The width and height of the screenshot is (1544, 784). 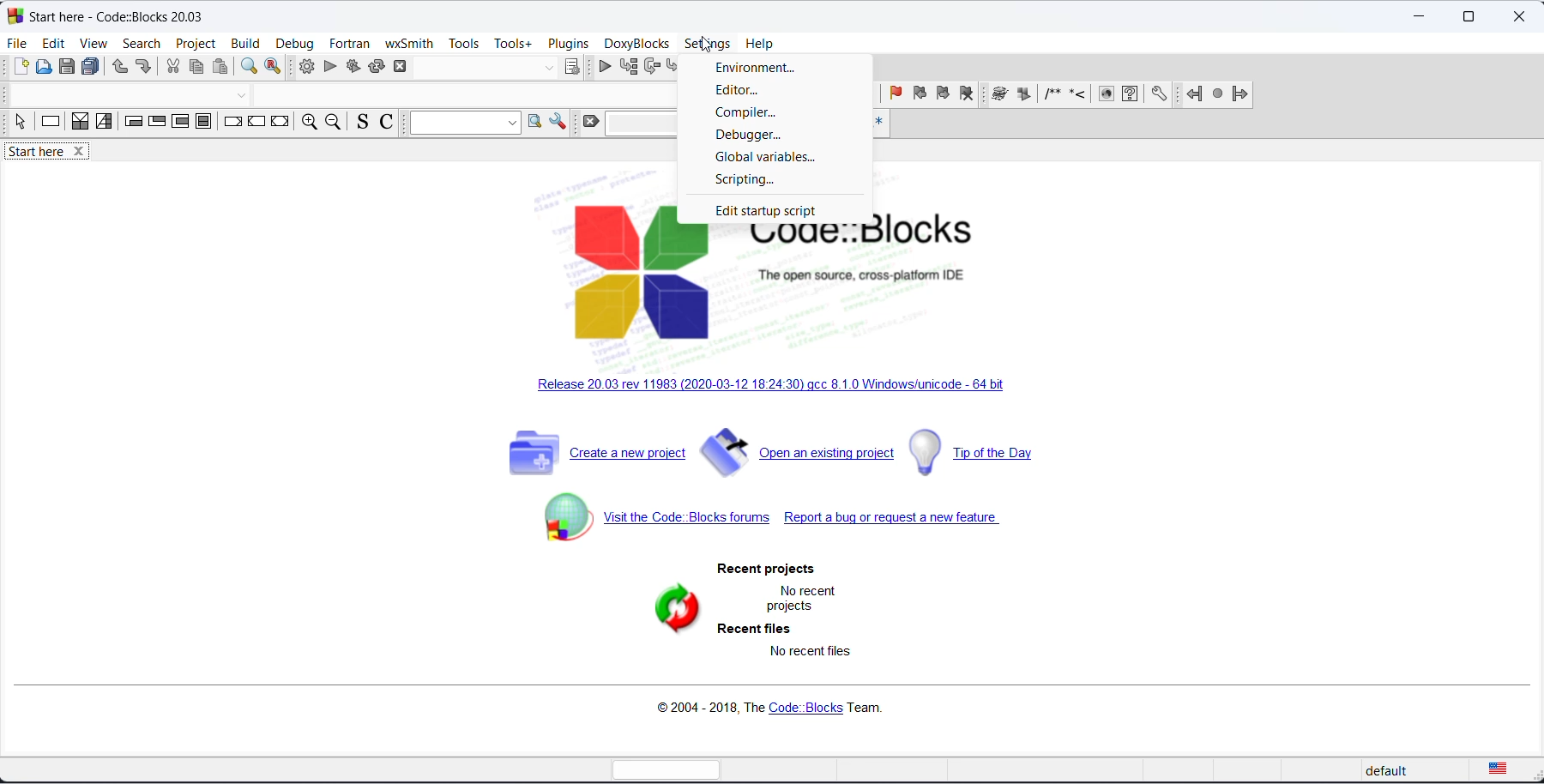 I want to click on pause, so click(x=1024, y=94).